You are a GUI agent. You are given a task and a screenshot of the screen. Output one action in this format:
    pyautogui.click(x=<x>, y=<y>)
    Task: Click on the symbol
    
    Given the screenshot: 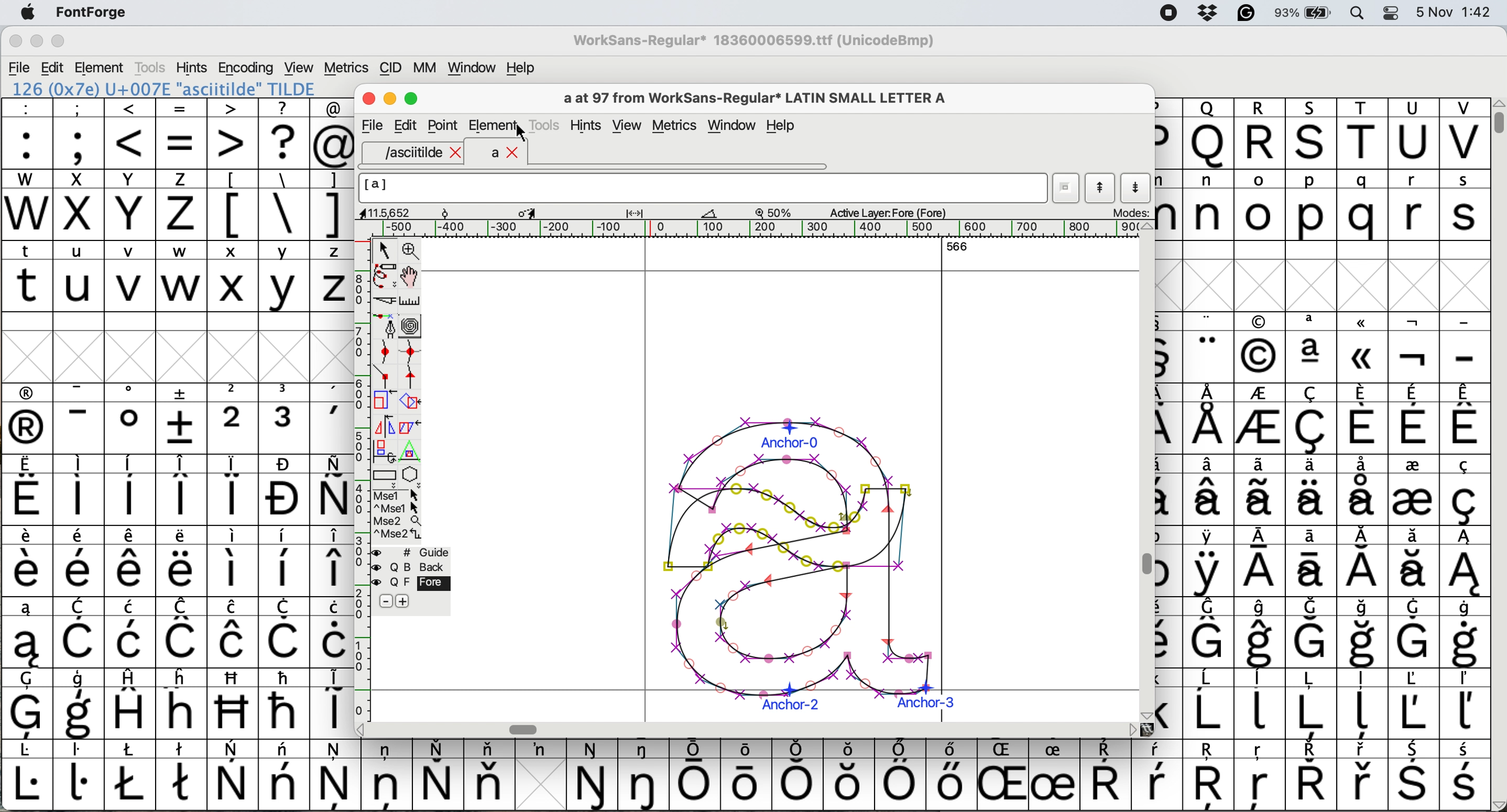 What is the action you would take?
    pyautogui.click(x=130, y=418)
    